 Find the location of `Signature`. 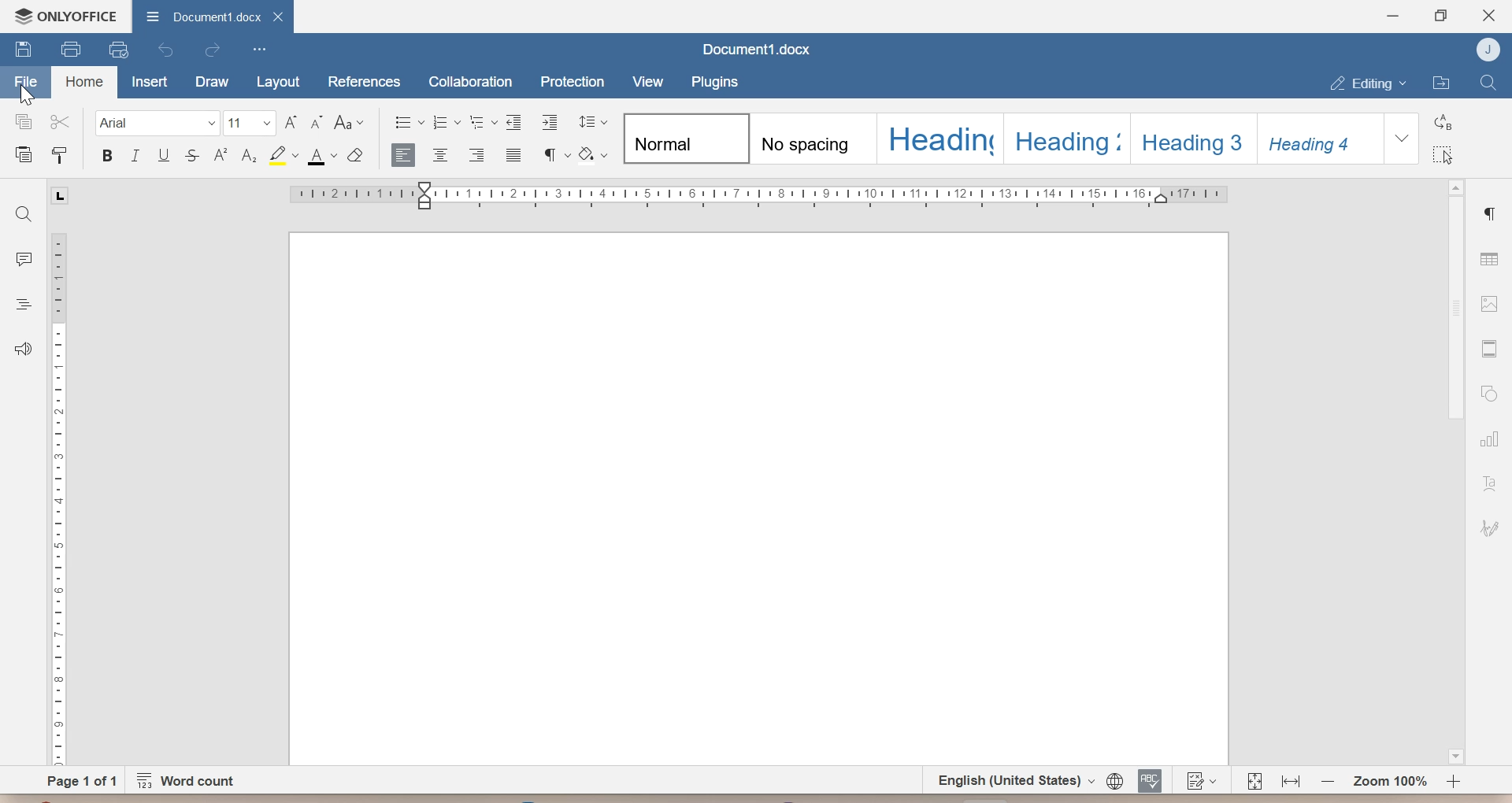

Signature is located at coordinates (1492, 529).